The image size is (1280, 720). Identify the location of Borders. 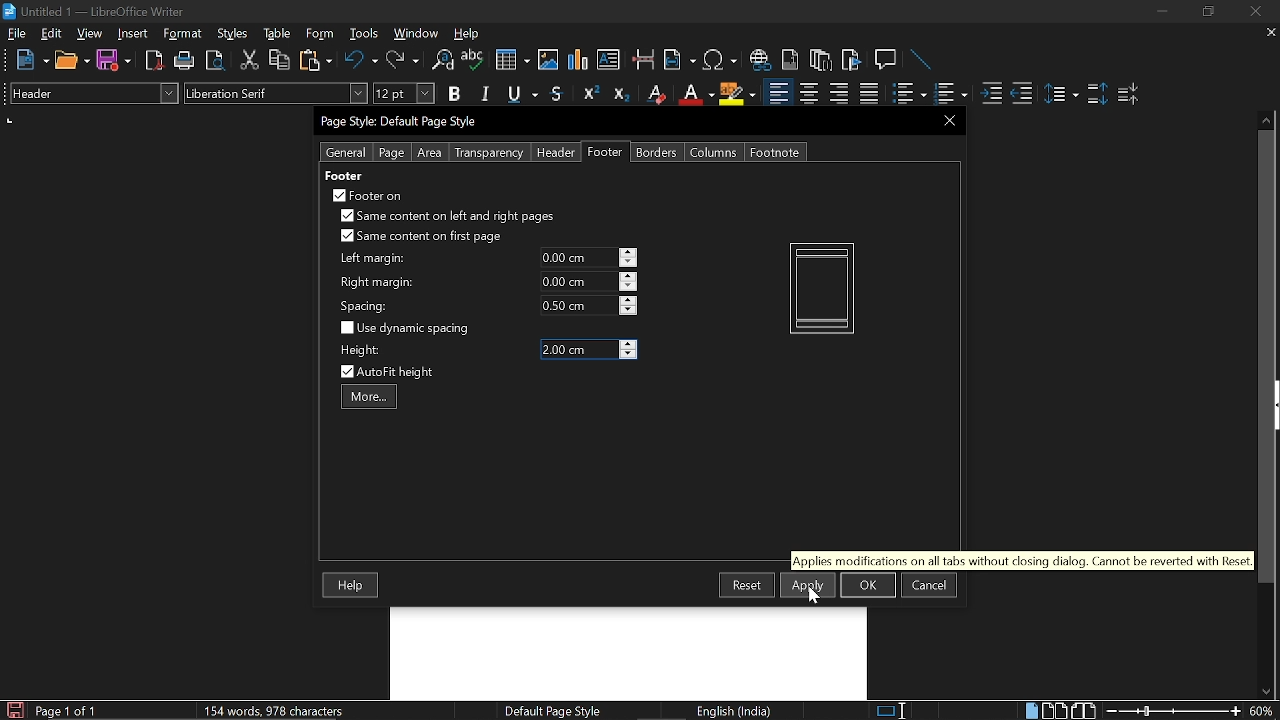
(658, 152).